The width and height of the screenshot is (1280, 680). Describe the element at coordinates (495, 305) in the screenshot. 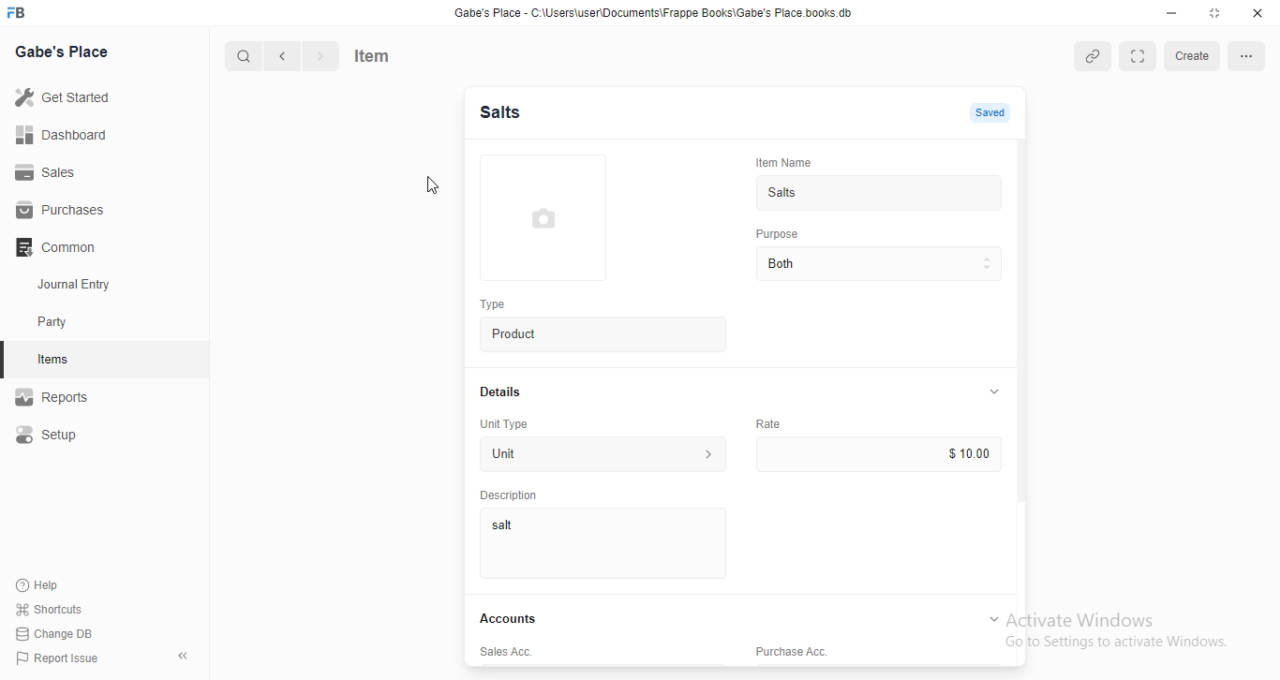

I see `Type` at that location.